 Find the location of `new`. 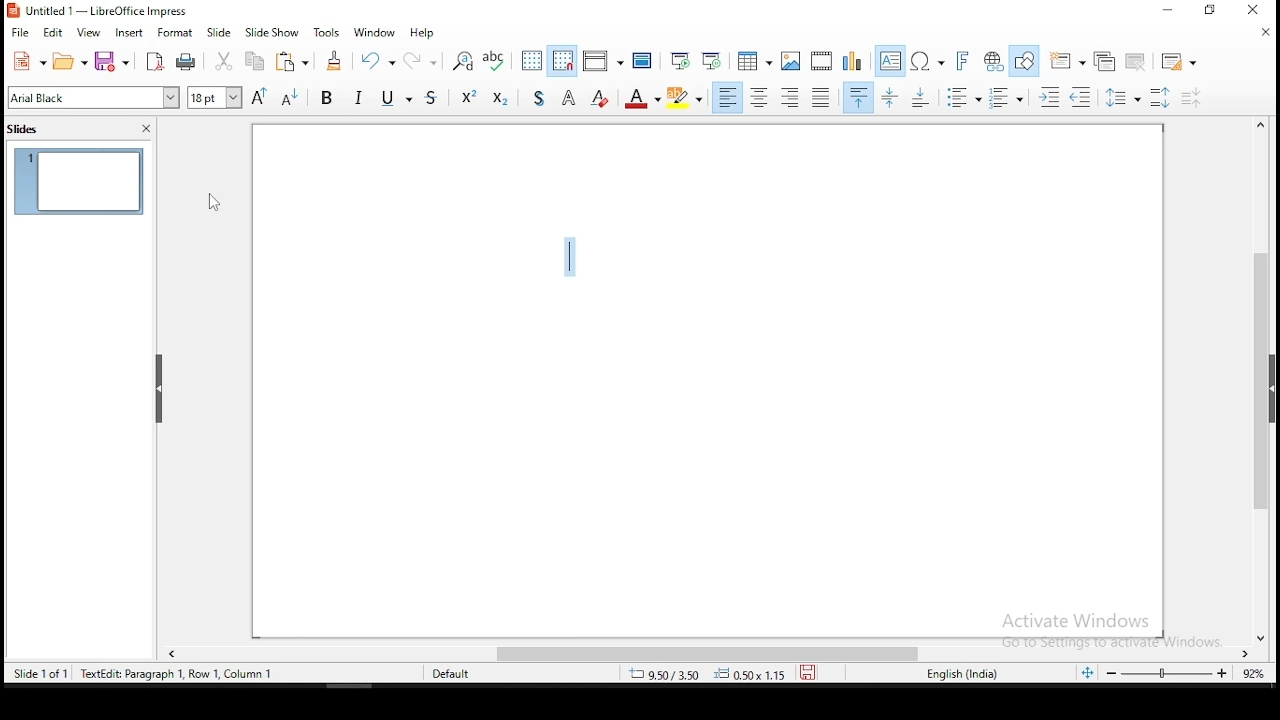

new is located at coordinates (28, 61).